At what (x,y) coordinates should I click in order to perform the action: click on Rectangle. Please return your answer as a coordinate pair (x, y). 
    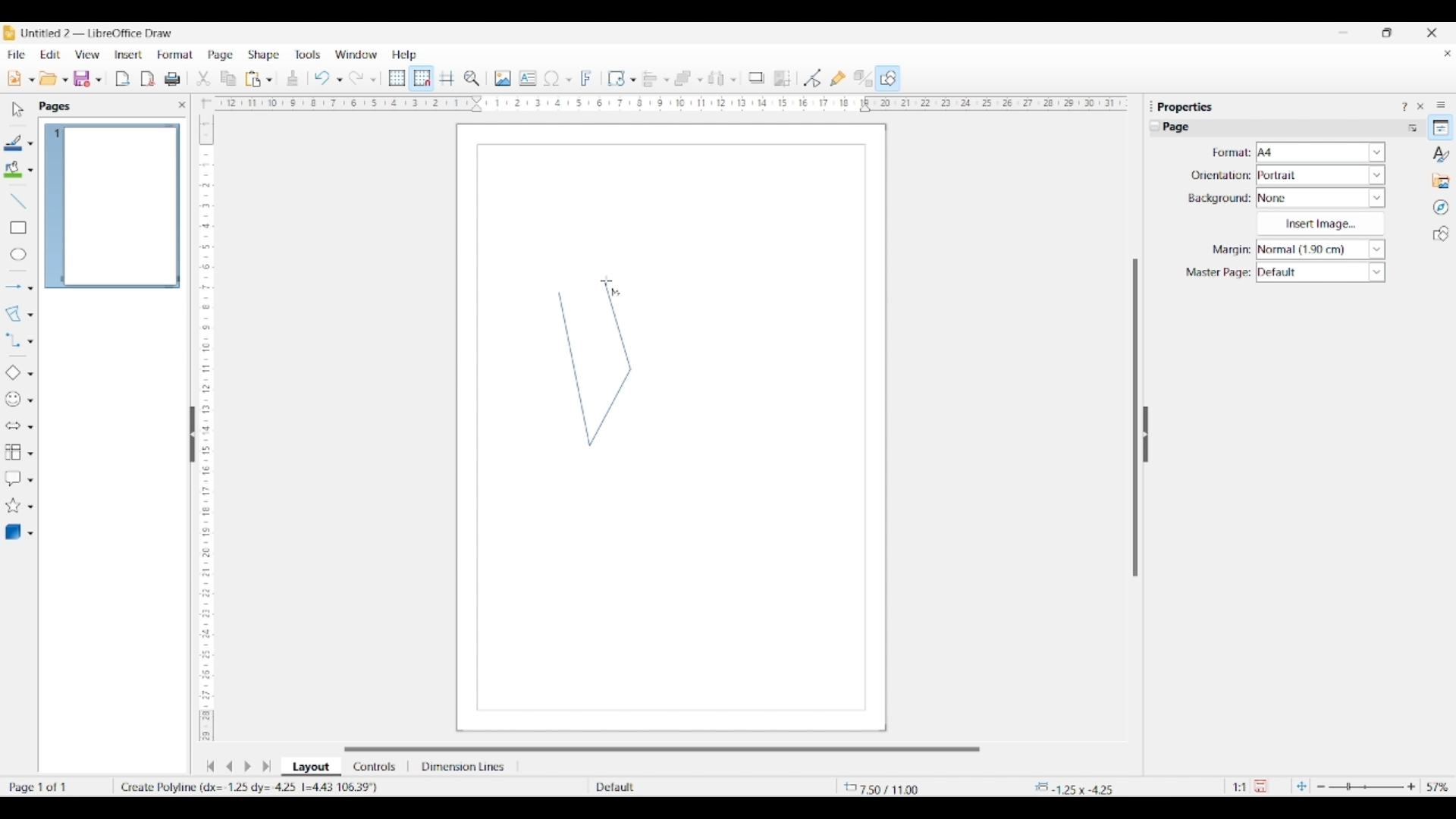
    Looking at the image, I should click on (18, 227).